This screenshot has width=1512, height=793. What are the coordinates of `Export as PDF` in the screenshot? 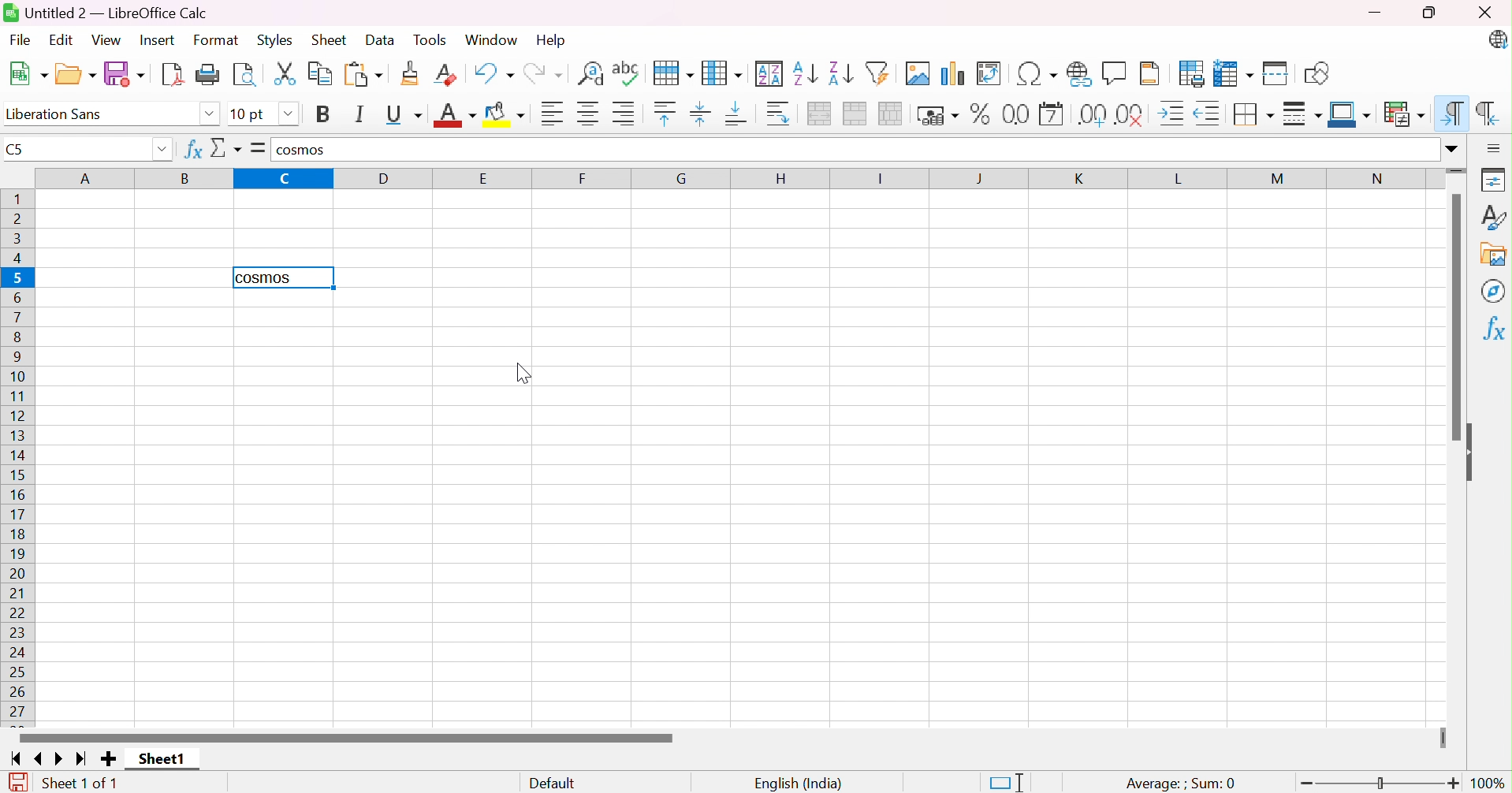 It's located at (172, 75).